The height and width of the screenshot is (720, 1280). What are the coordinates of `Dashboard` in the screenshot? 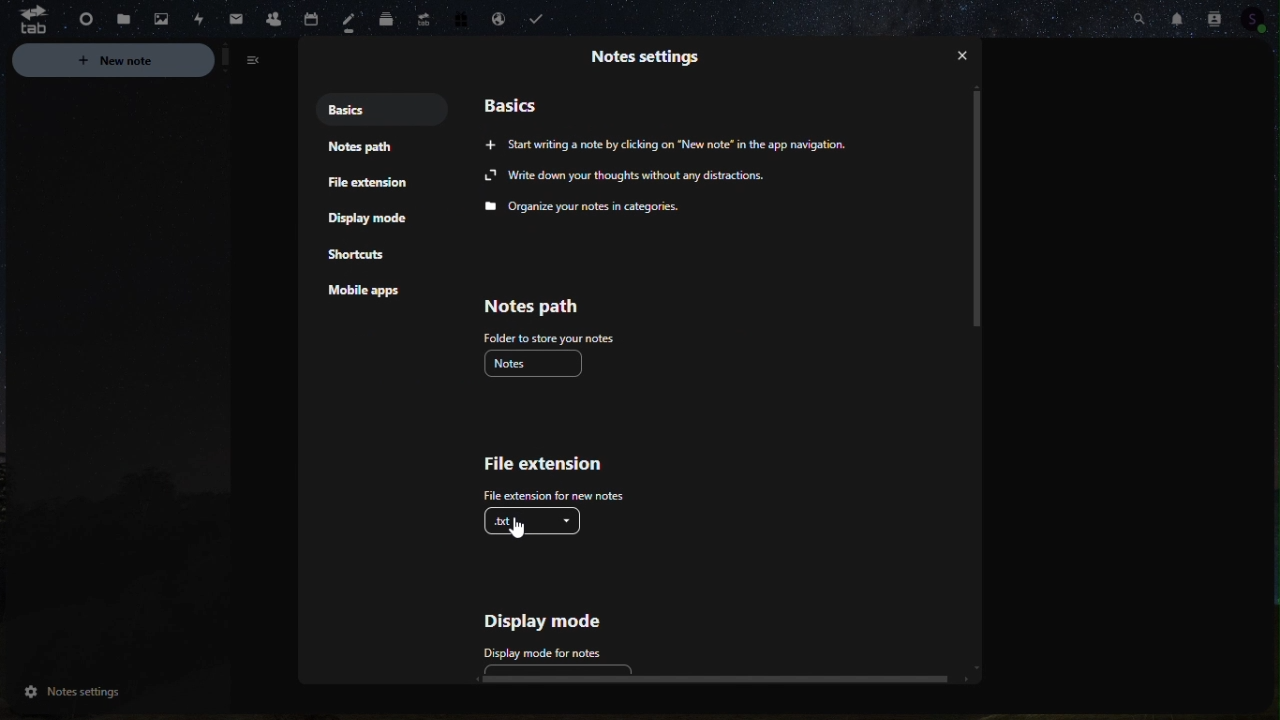 It's located at (78, 18).